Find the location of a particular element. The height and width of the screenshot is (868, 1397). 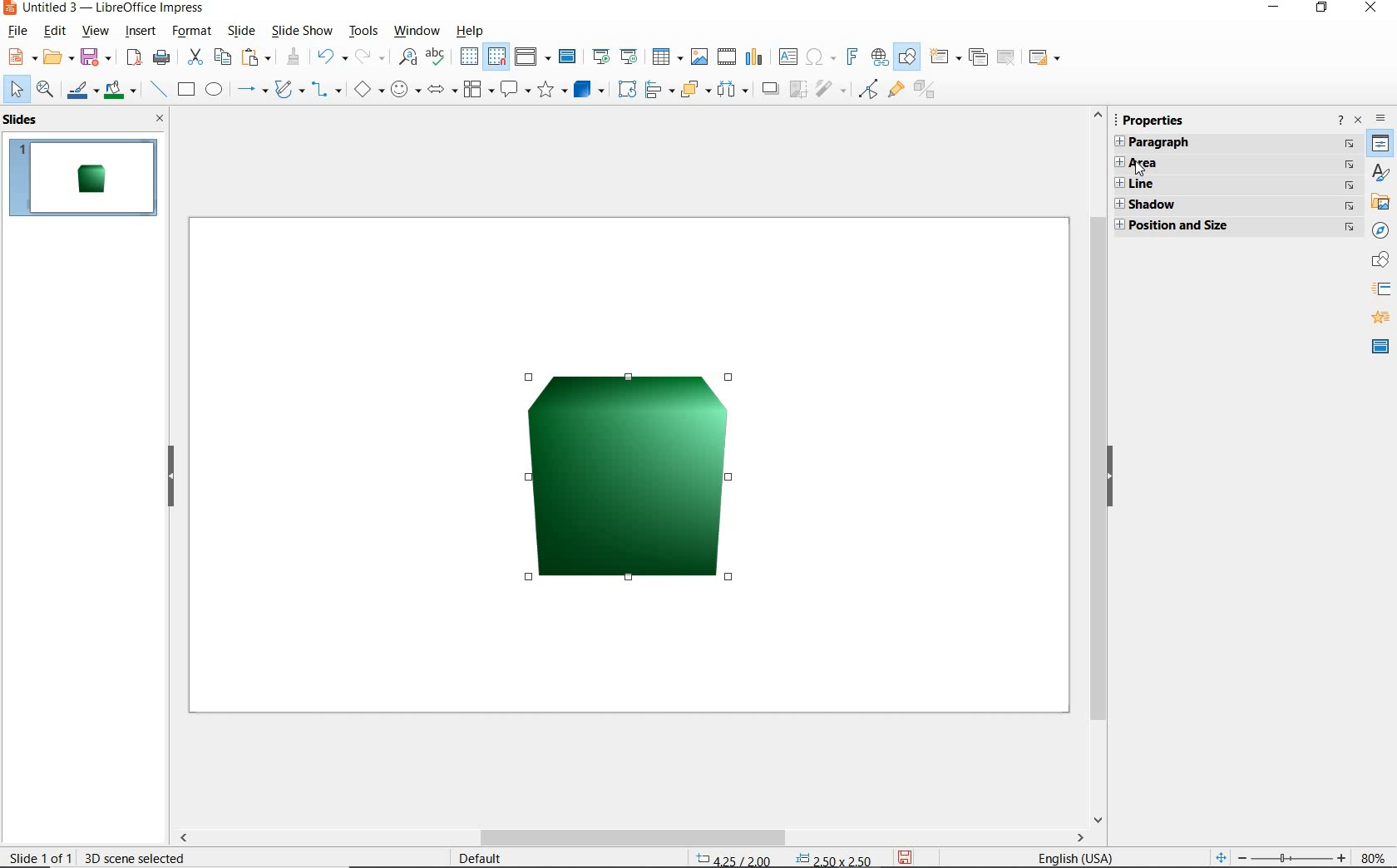

ARRANGE is located at coordinates (695, 90).